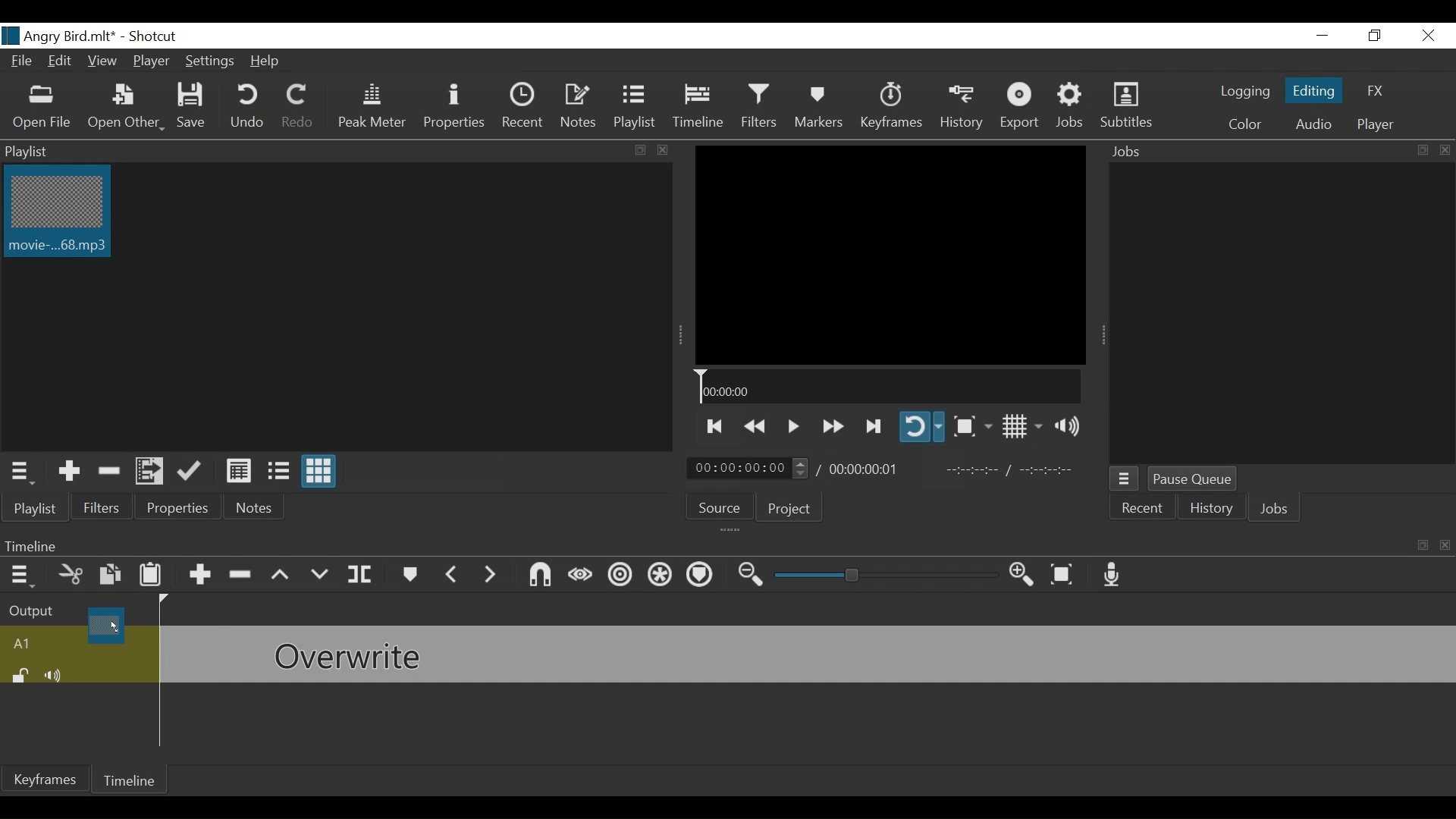 The image size is (1456, 819). Describe the element at coordinates (581, 575) in the screenshot. I see `Scrub while dragging` at that location.